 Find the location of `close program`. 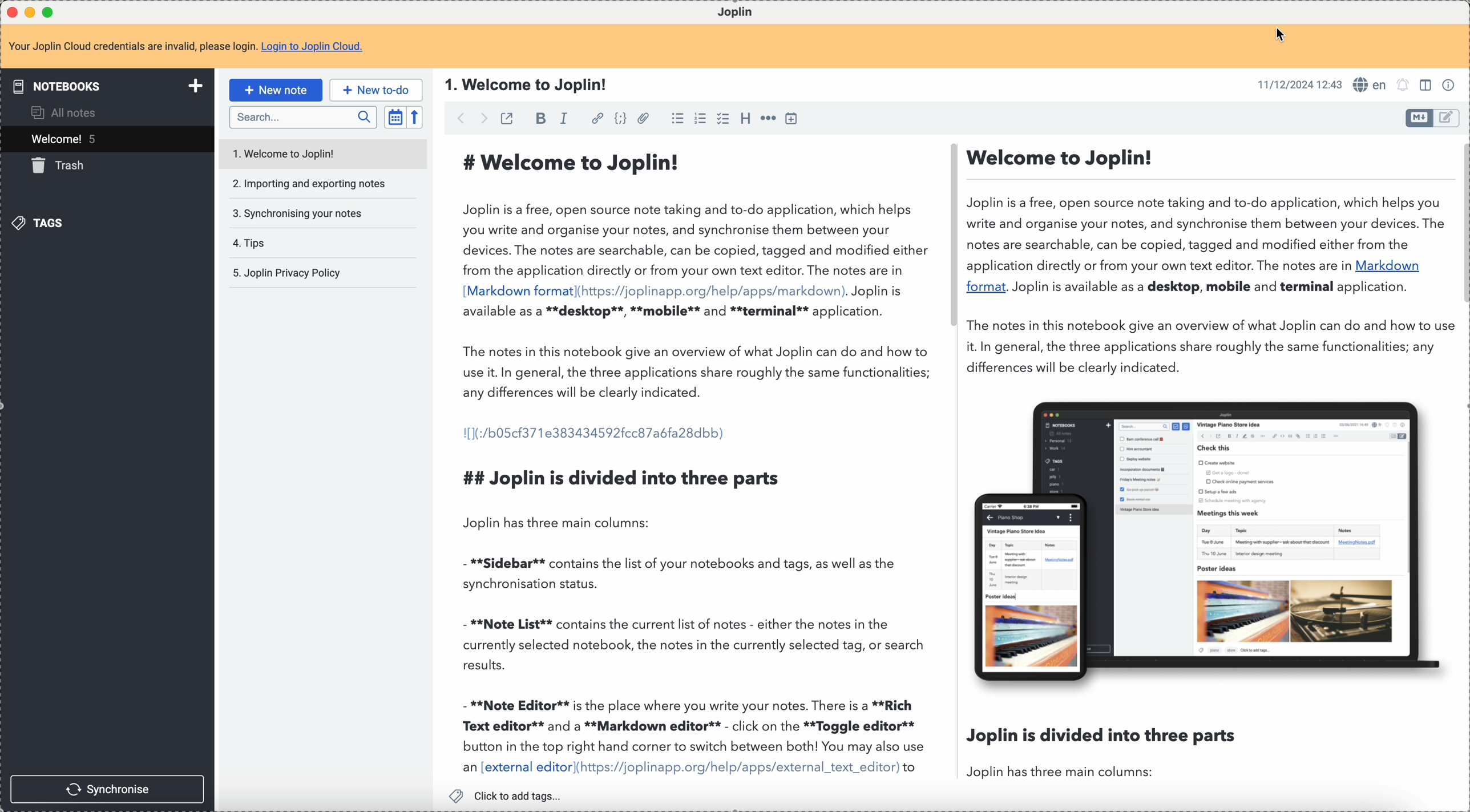

close program is located at coordinates (10, 11).